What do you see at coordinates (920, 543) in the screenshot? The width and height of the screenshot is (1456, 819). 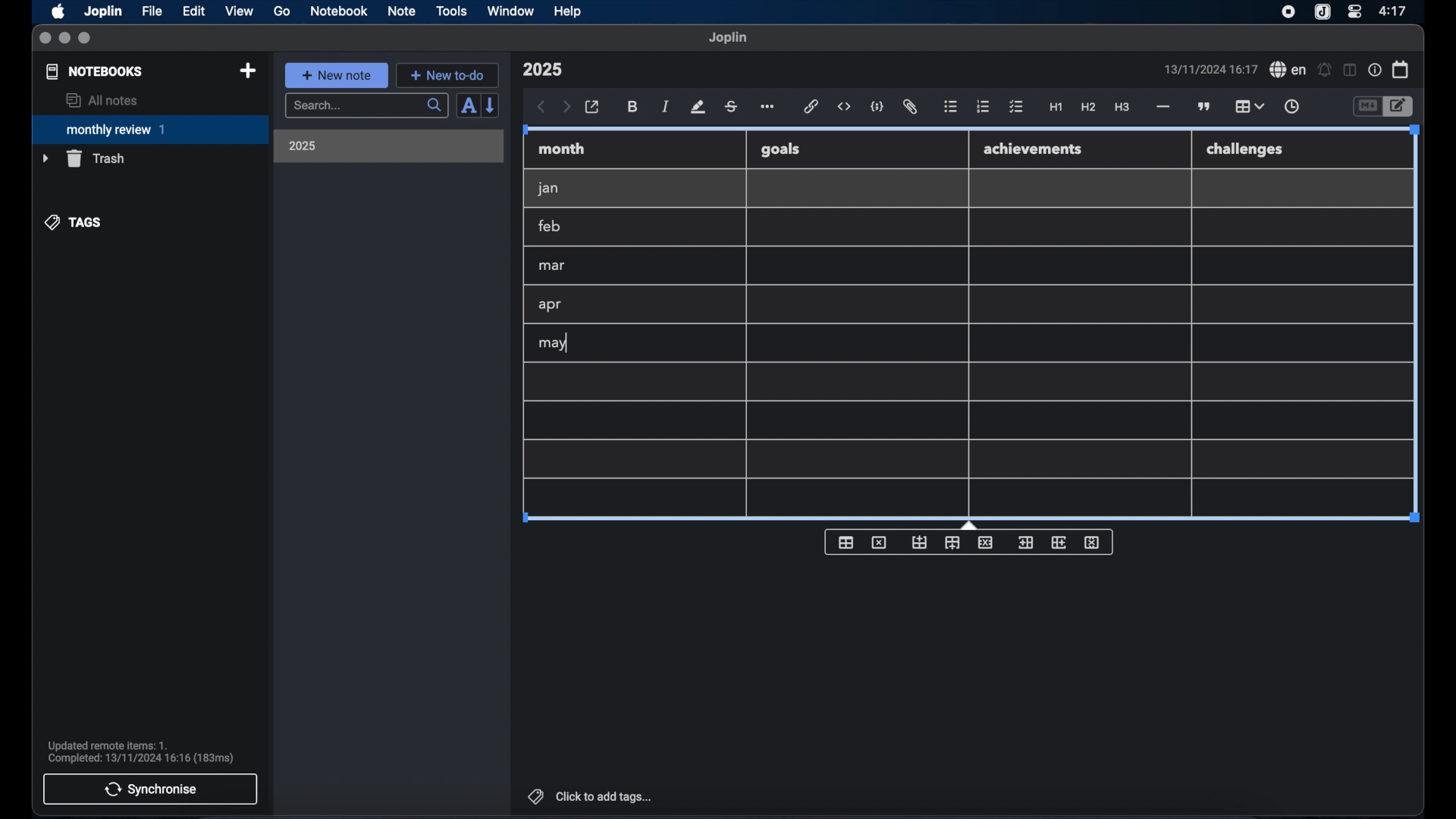 I see `insert row before` at bounding box center [920, 543].